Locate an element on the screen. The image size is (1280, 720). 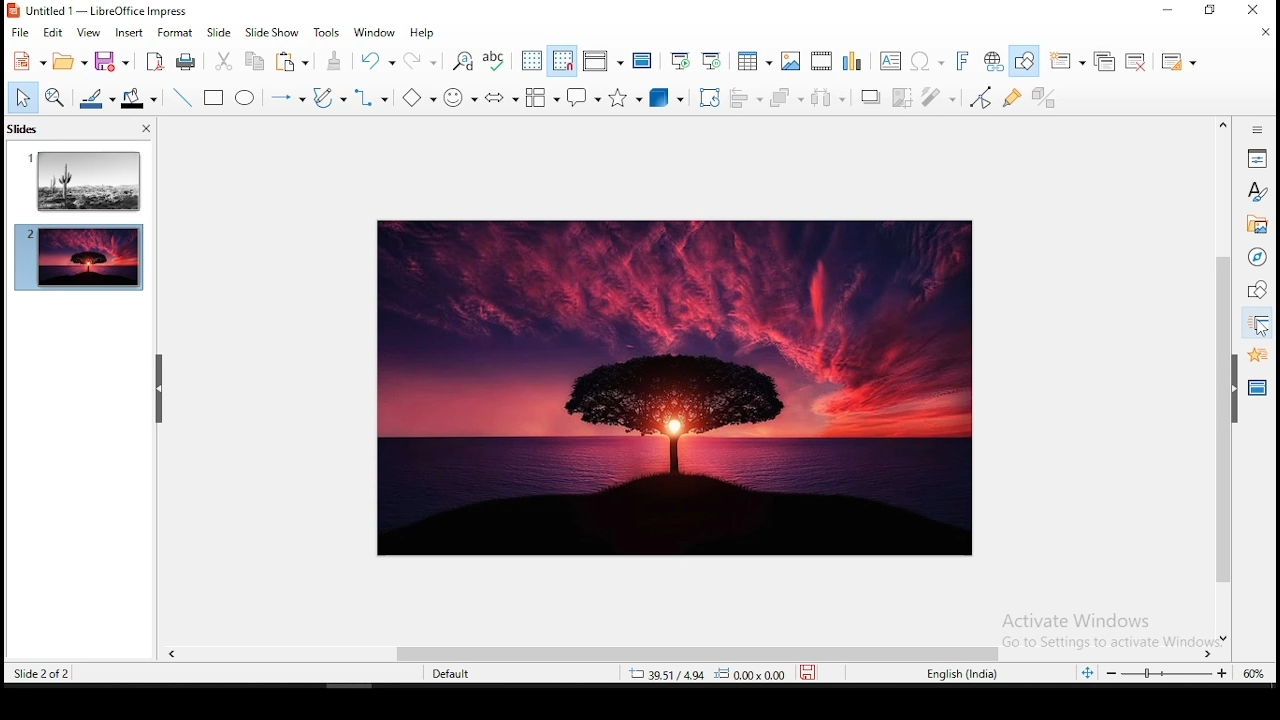
fontwork text is located at coordinates (961, 62).